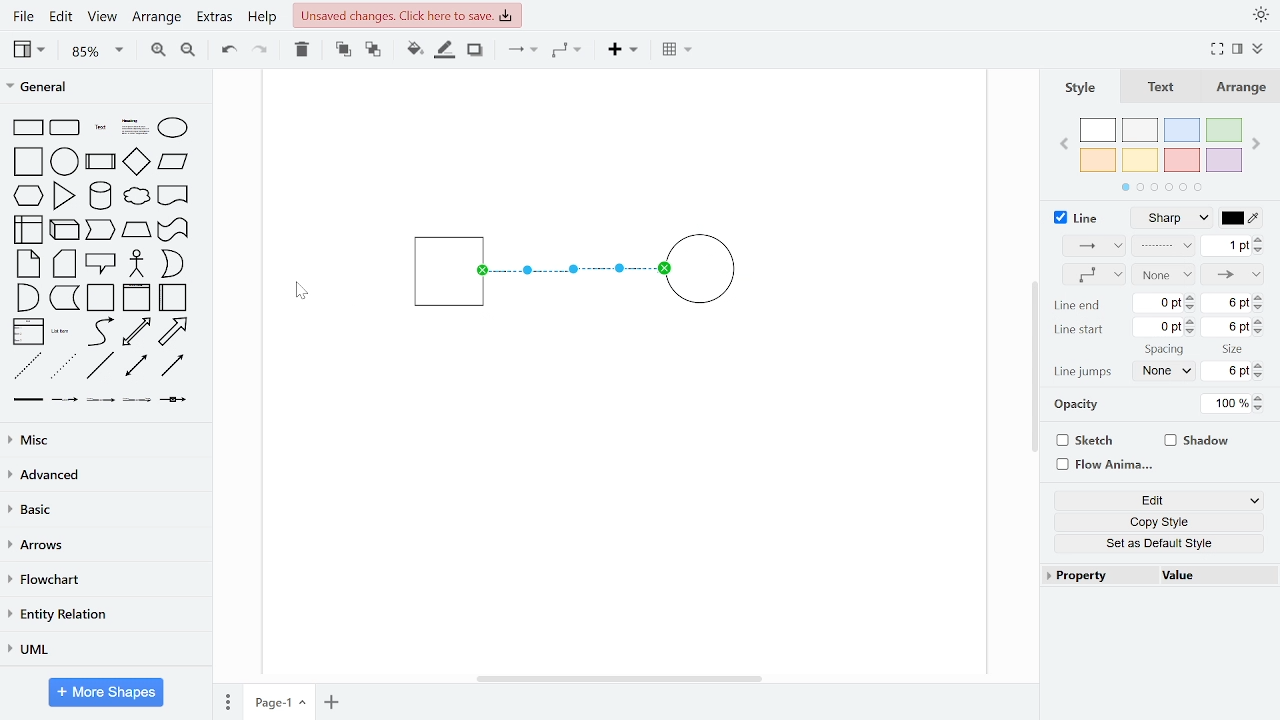  What do you see at coordinates (224, 48) in the screenshot?
I see `undo` at bounding box center [224, 48].